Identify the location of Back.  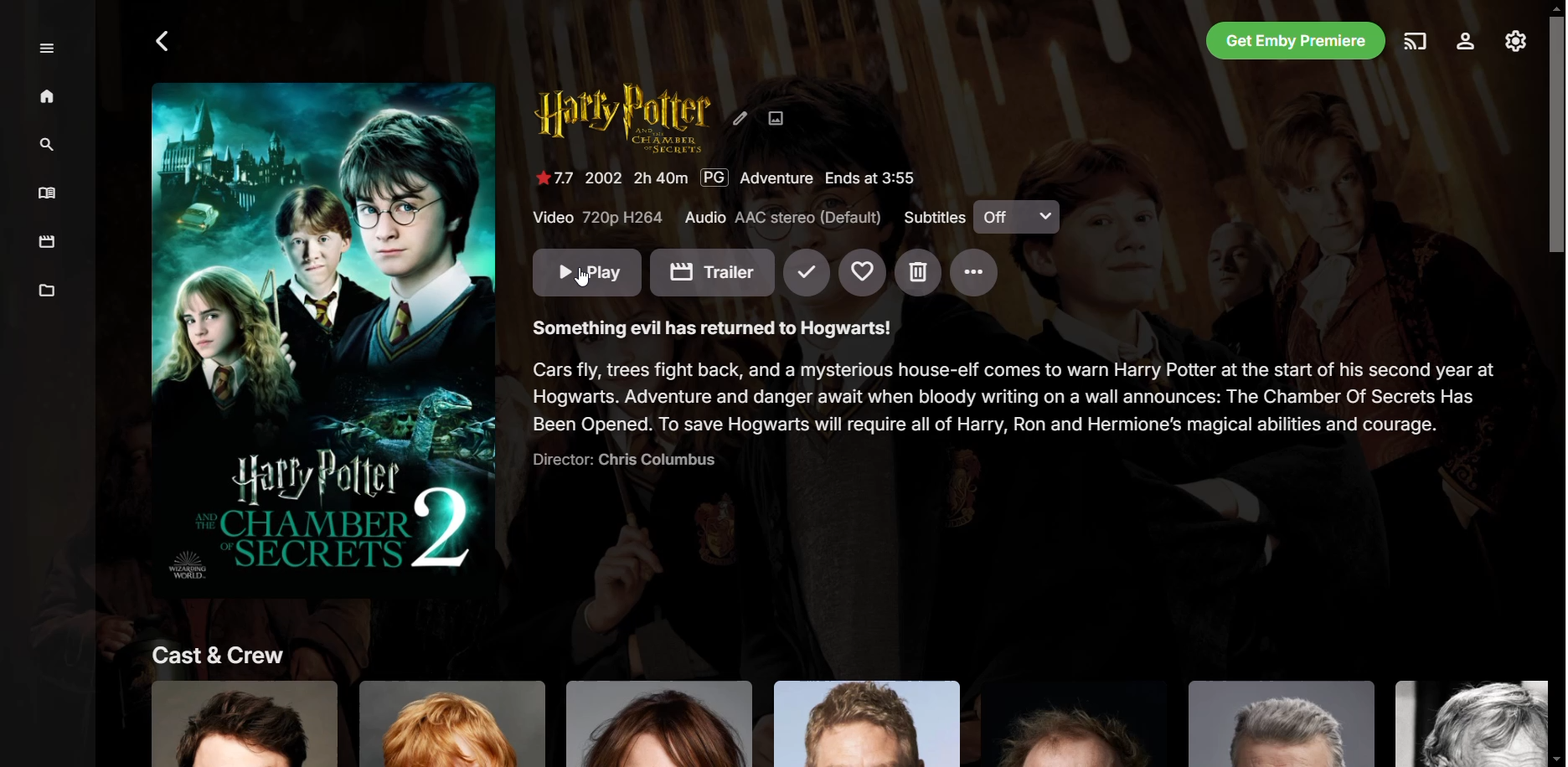
(164, 42).